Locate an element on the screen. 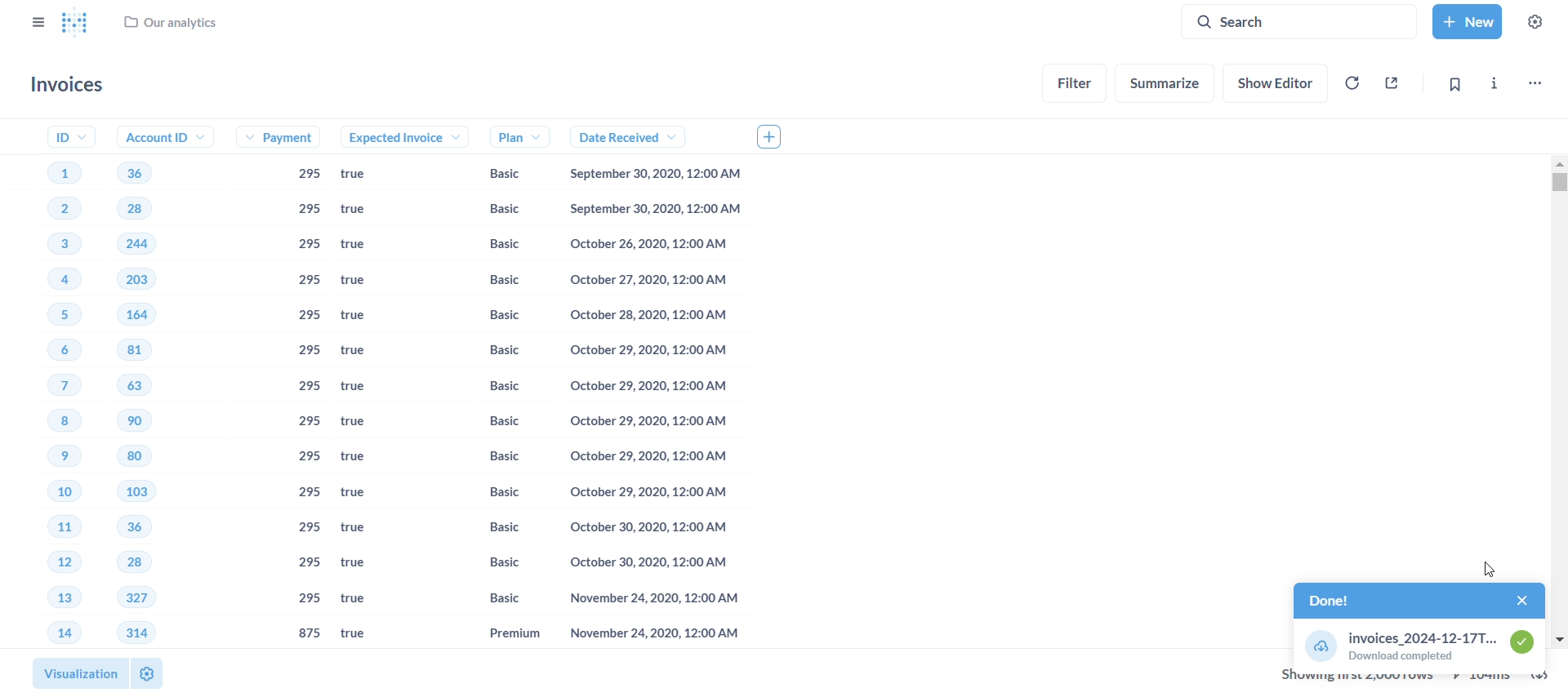 The image size is (1568, 697). done is located at coordinates (1384, 600).